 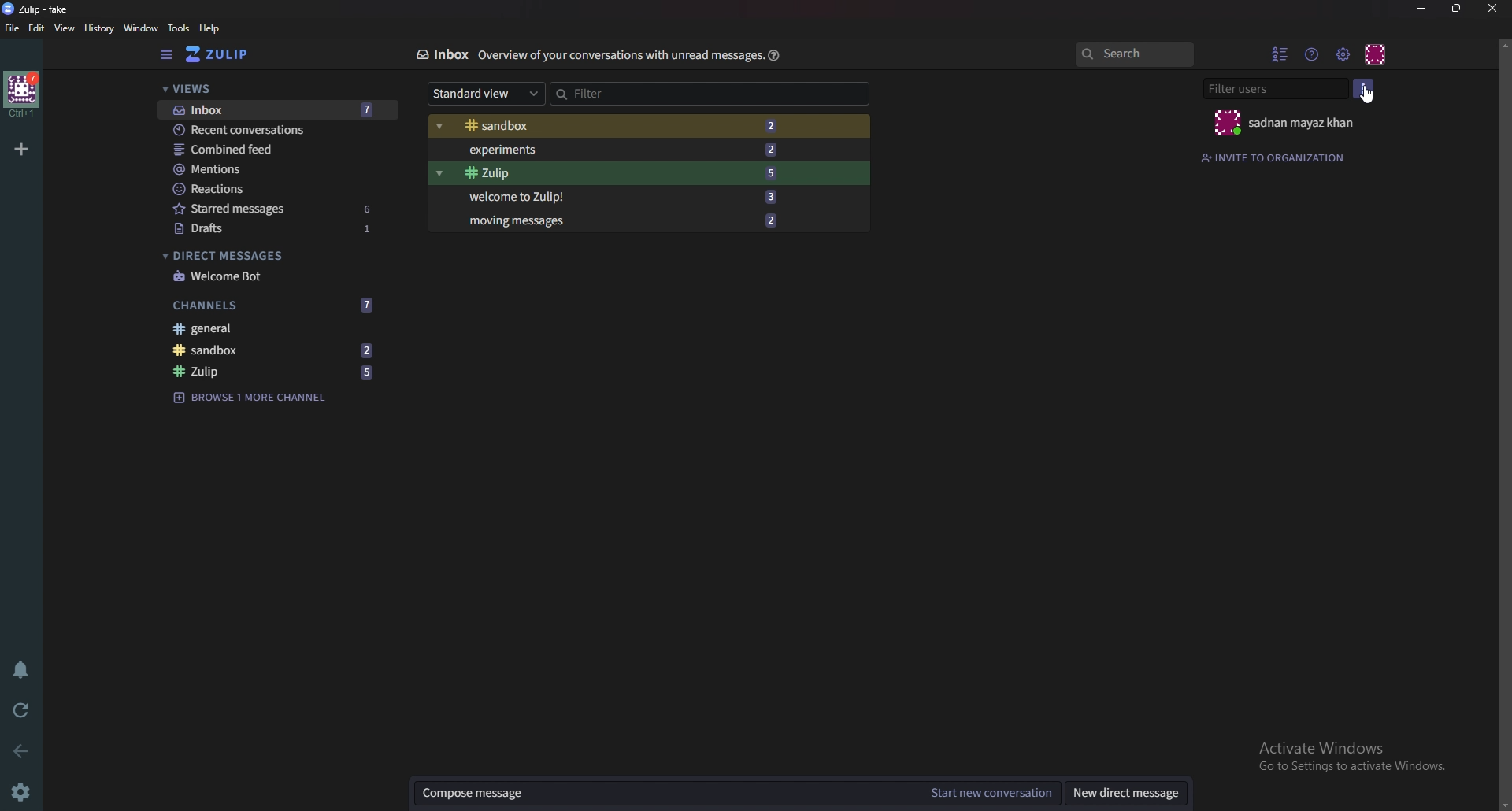 What do you see at coordinates (1460, 9) in the screenshot?
I see `Resize` at bounding box center [1460, 9].